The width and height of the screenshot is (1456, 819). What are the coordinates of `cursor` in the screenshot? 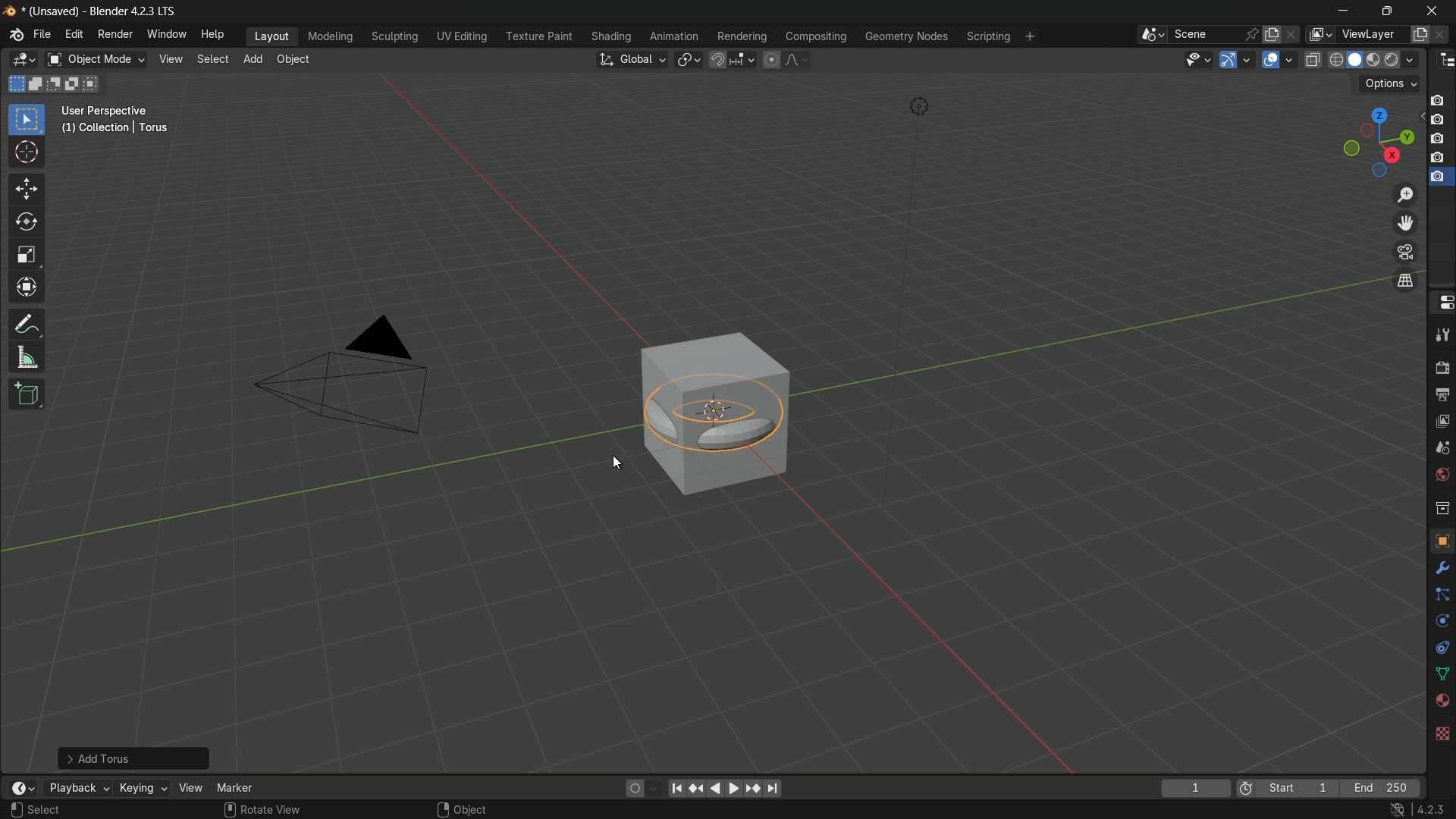 It's located at (27, 153).